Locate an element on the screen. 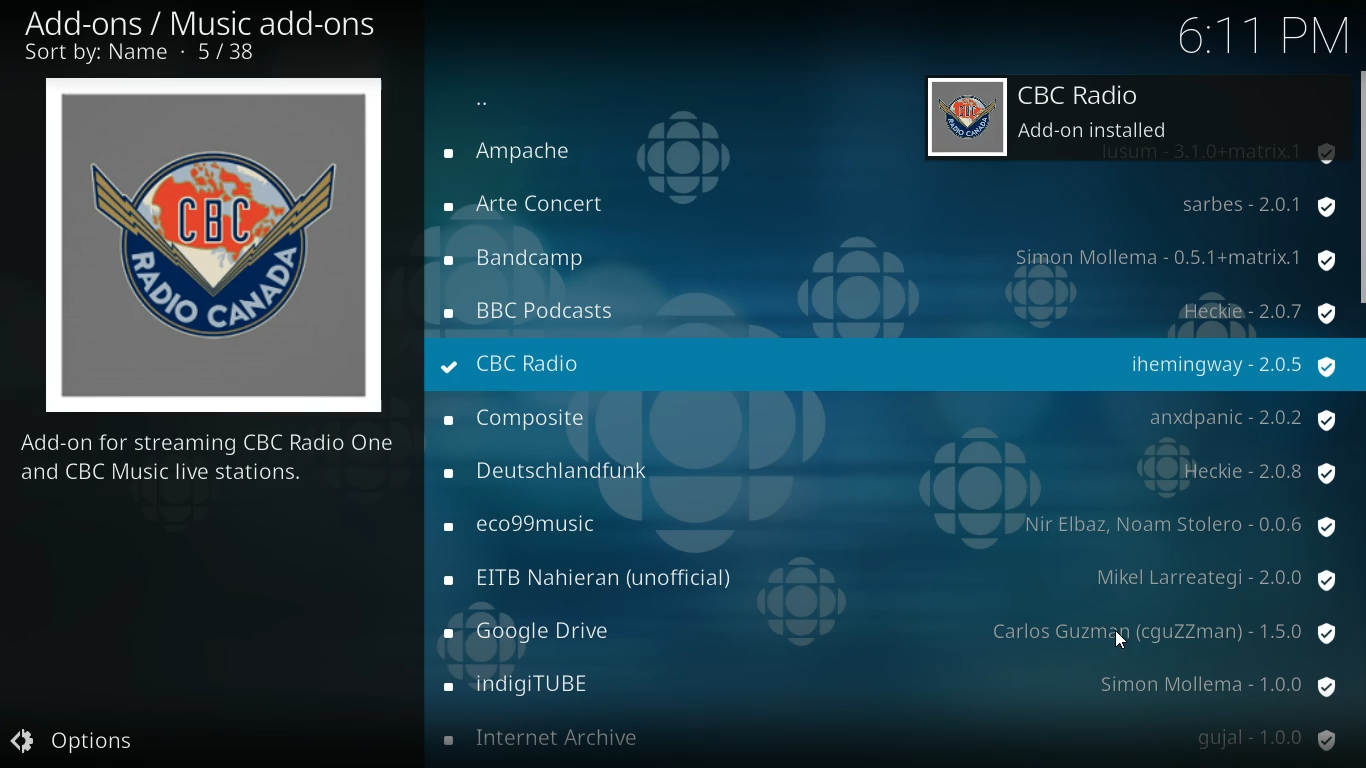  add-ons is located at coordinates (207, 22).